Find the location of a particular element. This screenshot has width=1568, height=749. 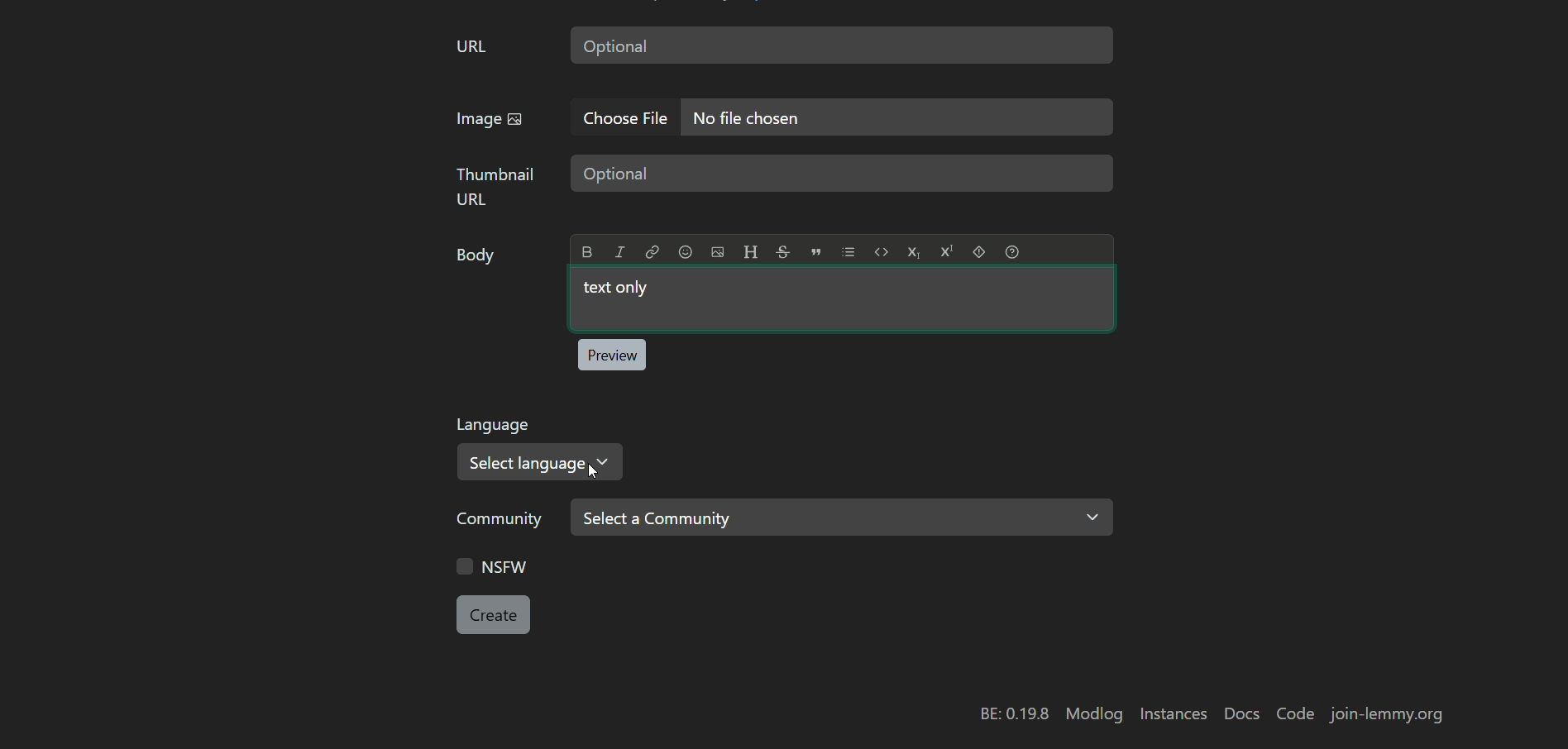

join-lemmy.org is located at coordinates (1386, 714).